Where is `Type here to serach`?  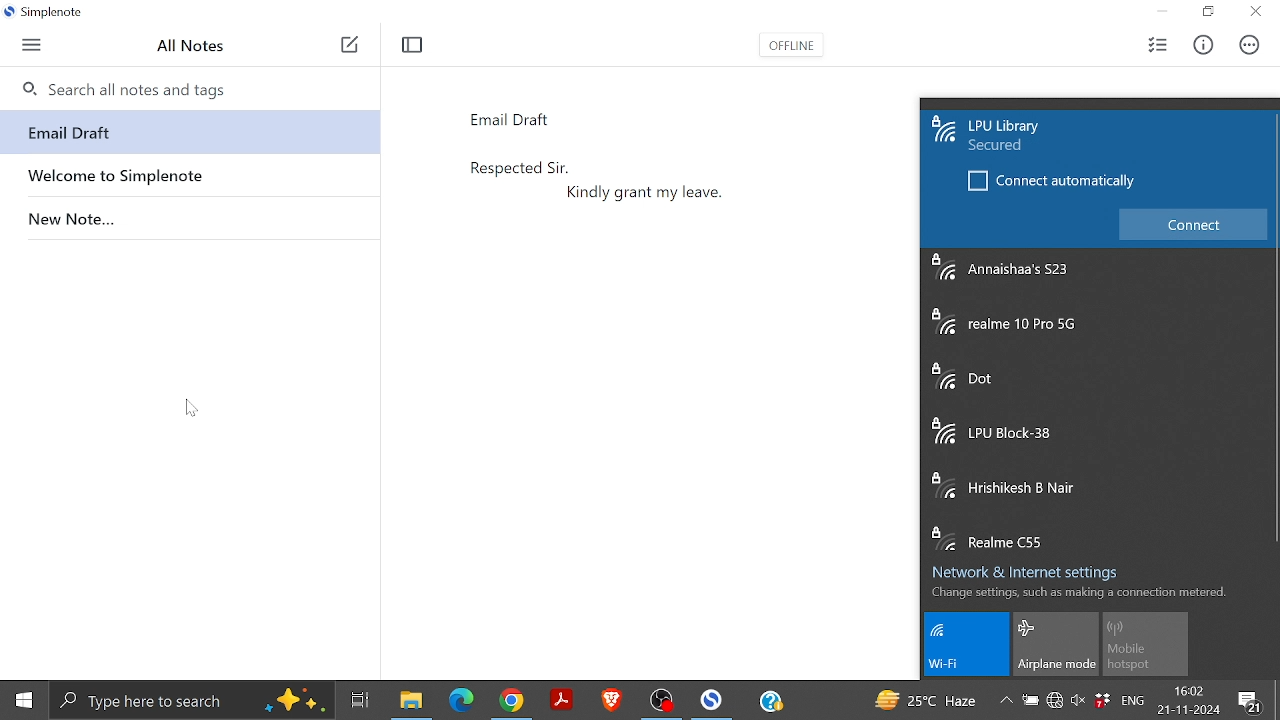 Type here to serach is located at coordinates (192, 700).